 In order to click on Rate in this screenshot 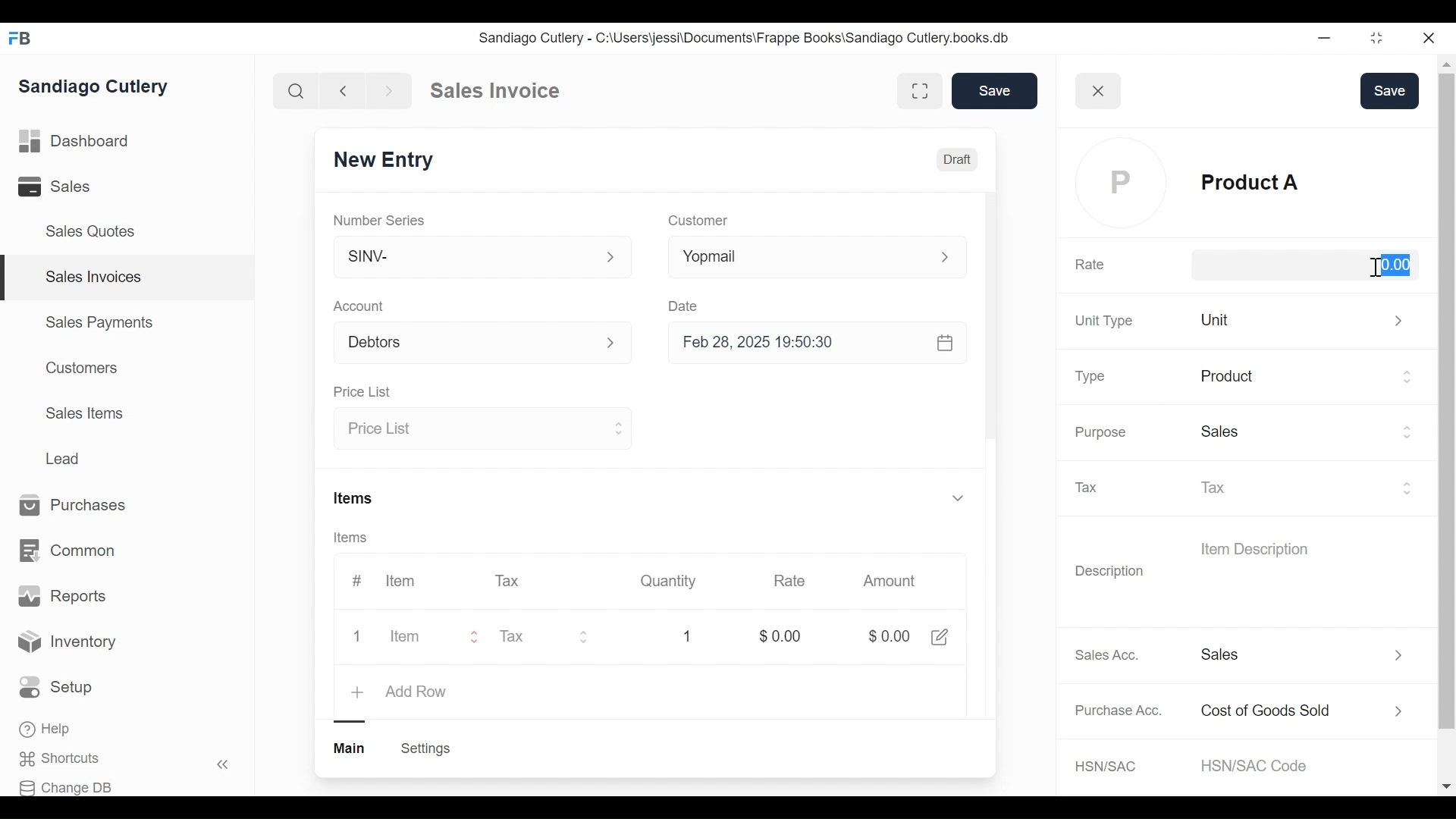, I will do `click(1090, 265)`.